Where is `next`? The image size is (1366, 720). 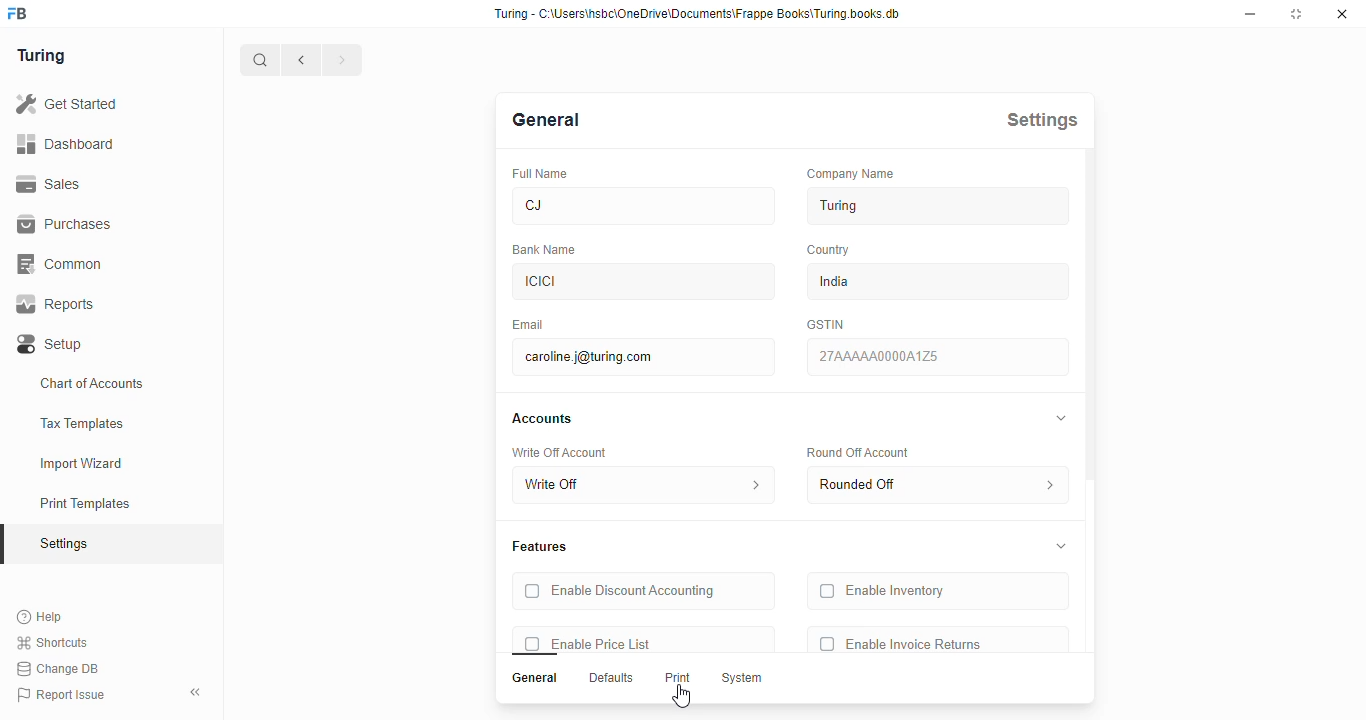 next is located at coordinates (344, 60).